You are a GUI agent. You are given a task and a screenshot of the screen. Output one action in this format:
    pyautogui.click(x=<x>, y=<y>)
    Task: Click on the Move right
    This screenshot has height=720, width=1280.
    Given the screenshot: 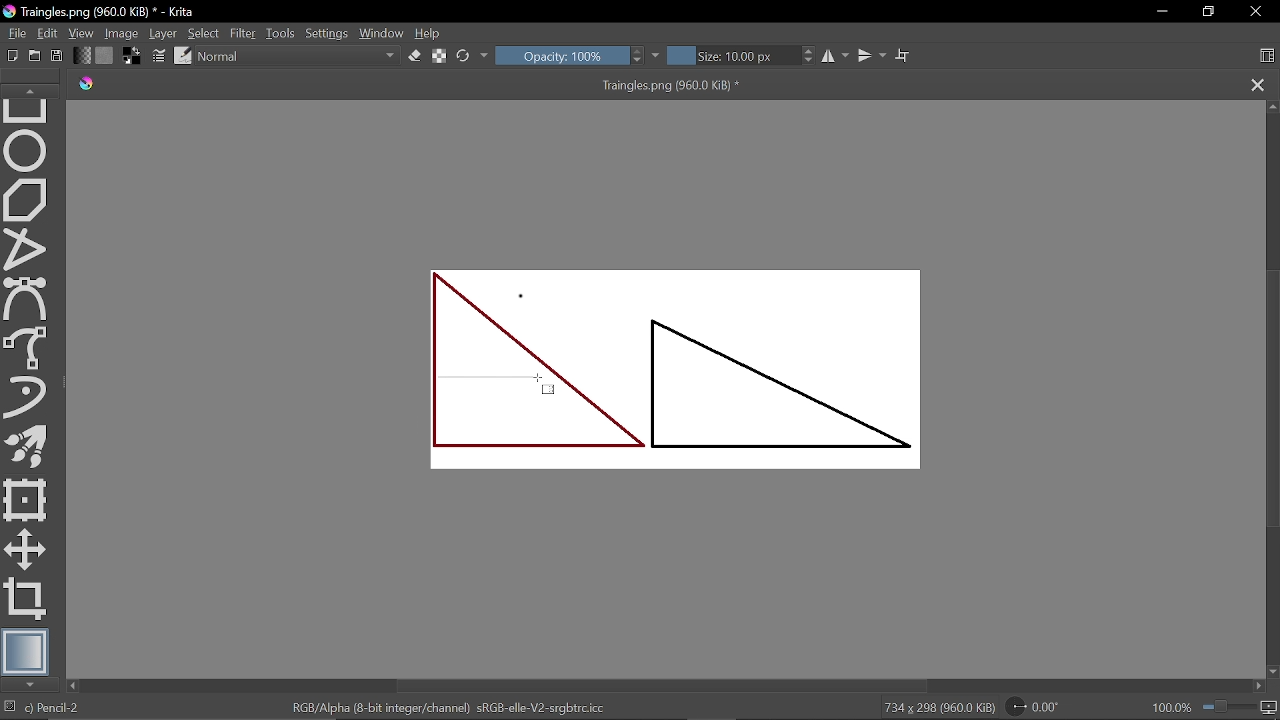 What is the action you would take?
    pyautogui.click(x=1259, y=685)
    